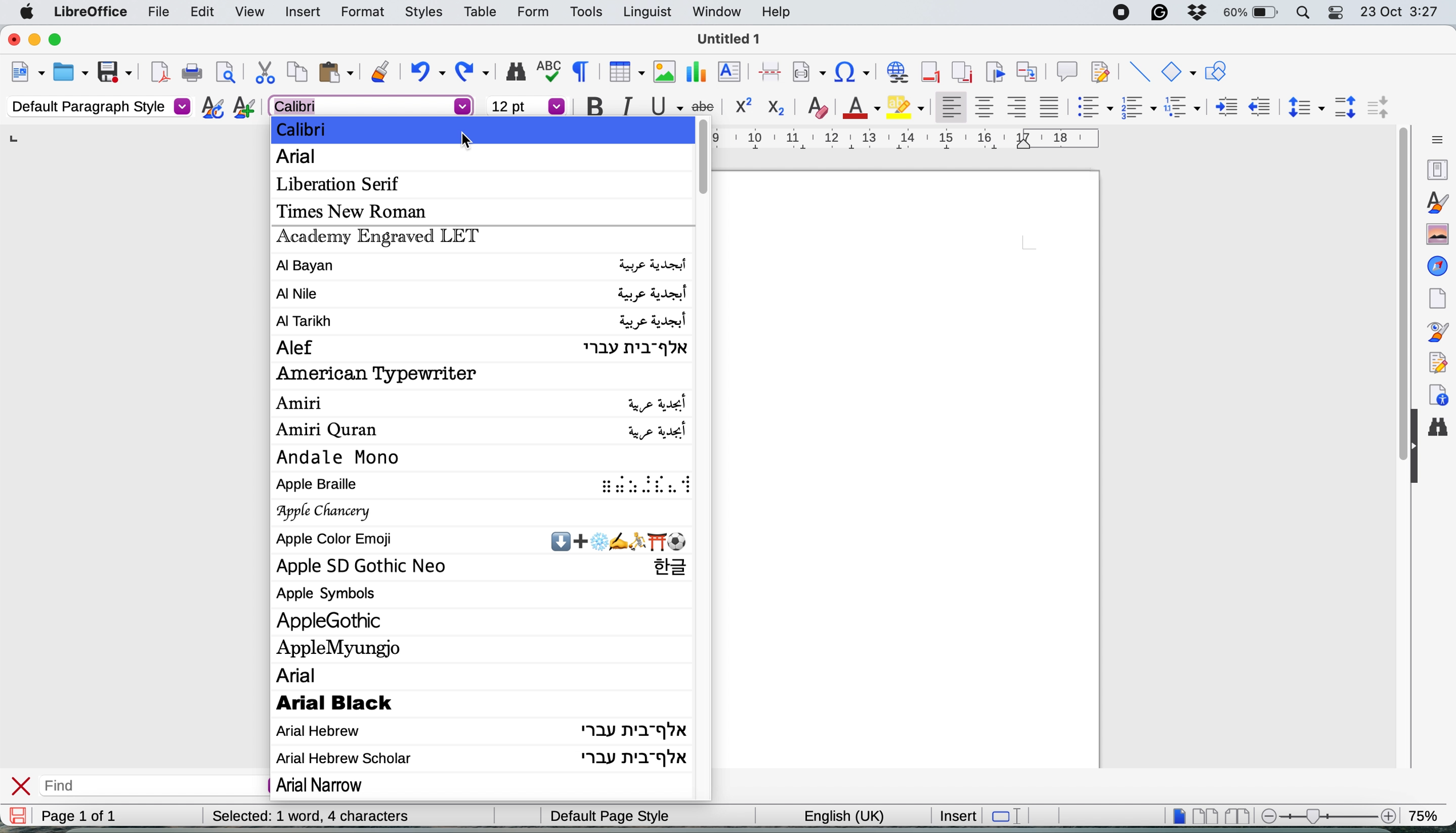 This screenshot has width=1456, height=833. I want to click on vertical scroll bar, so click(709, 159).